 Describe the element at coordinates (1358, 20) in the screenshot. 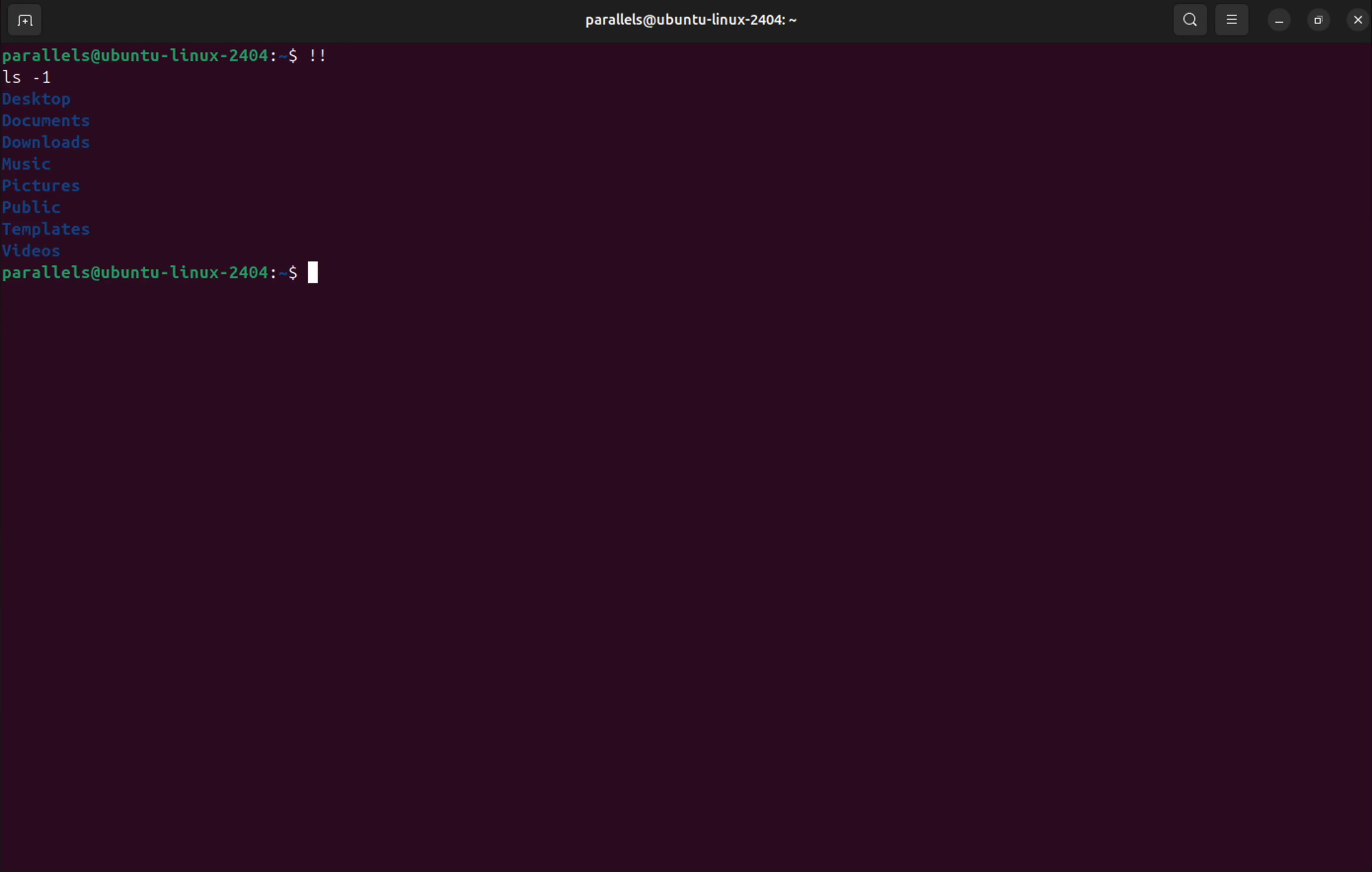

I see `close` at that location.